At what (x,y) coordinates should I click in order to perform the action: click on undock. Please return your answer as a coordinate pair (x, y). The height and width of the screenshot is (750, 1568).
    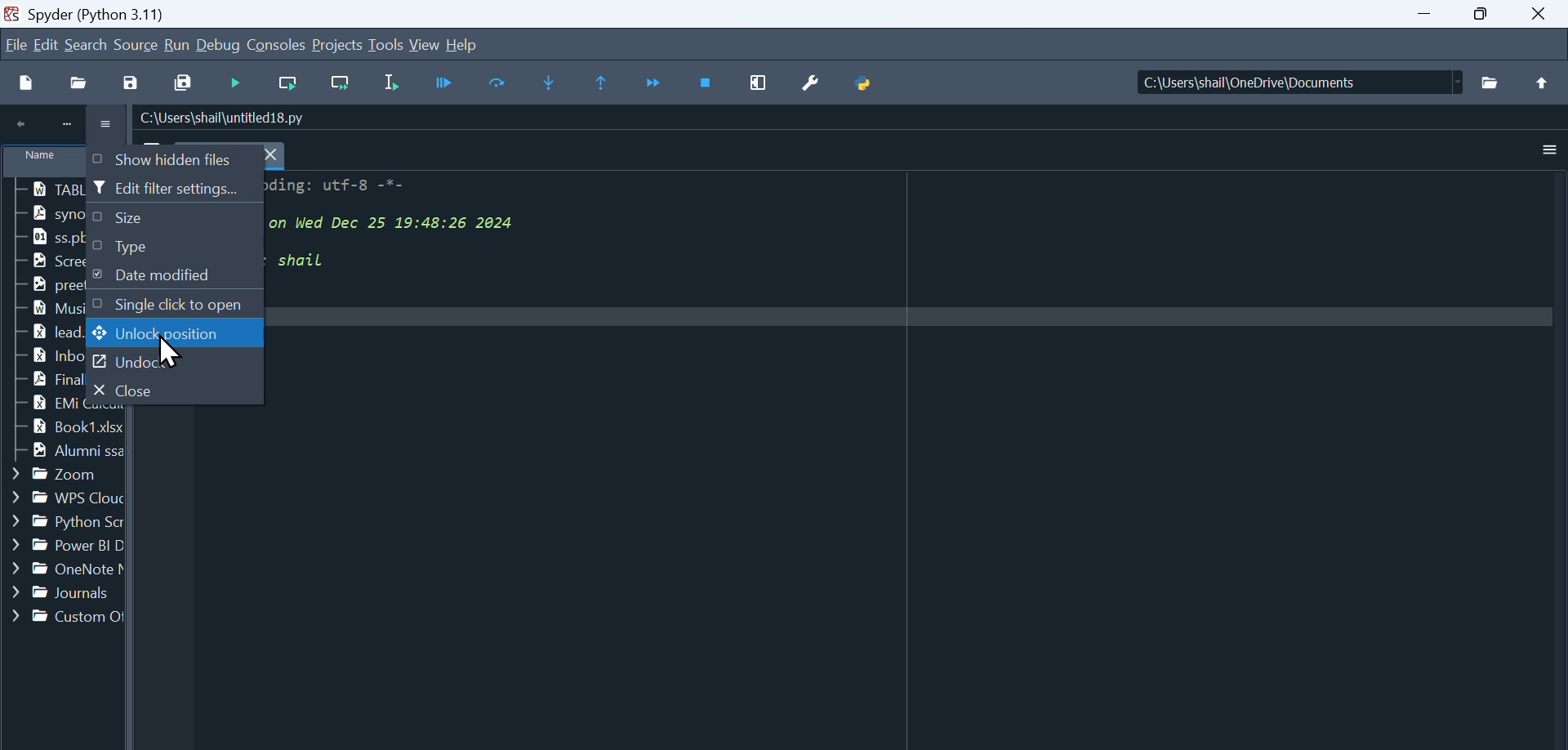
    Looking at the image, I should click on (174, 364).